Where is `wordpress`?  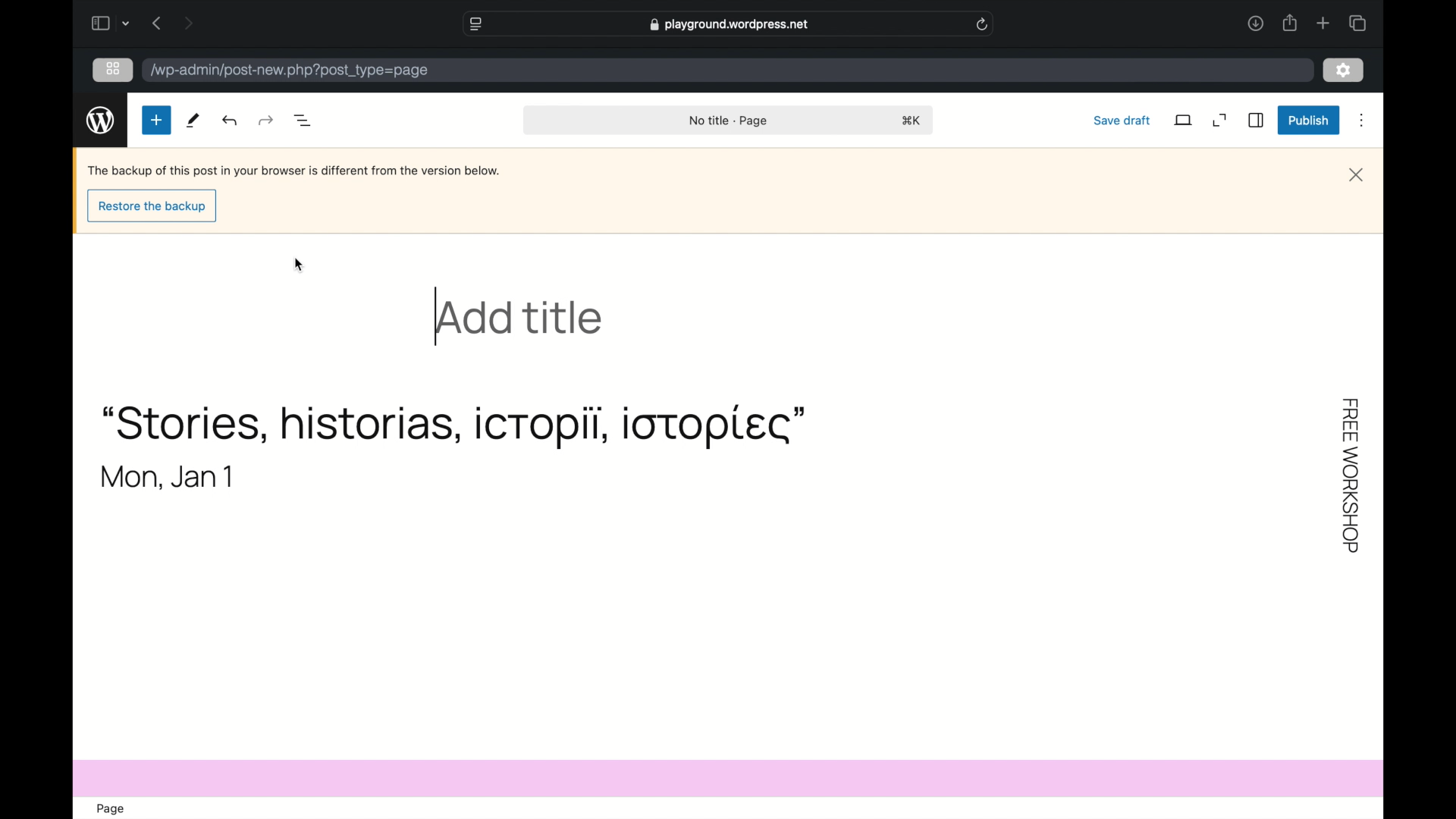
wordpress is located at coordinates (100, 120).